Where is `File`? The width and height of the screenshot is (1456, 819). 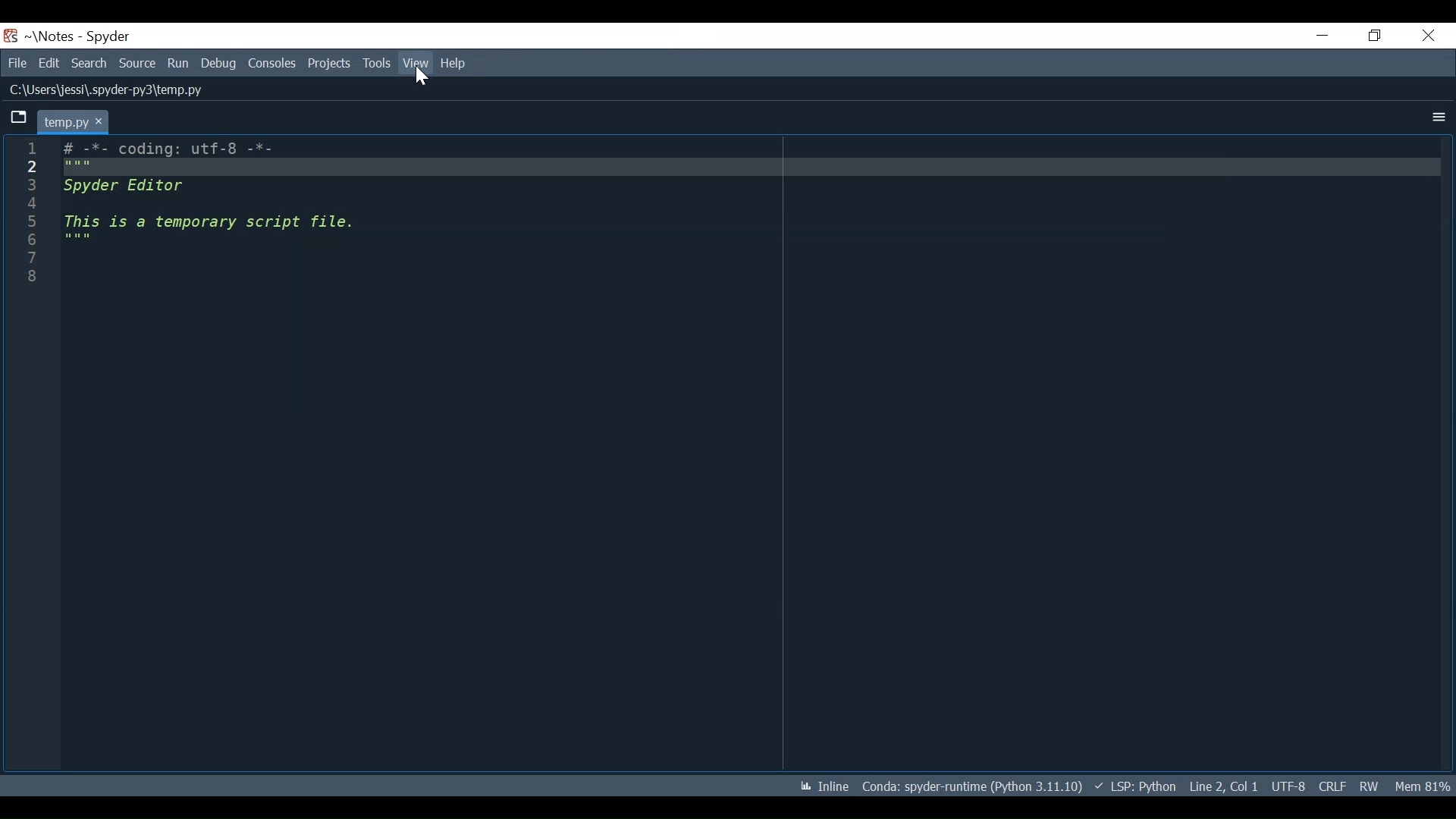 File is located at coordinates (17, 63).